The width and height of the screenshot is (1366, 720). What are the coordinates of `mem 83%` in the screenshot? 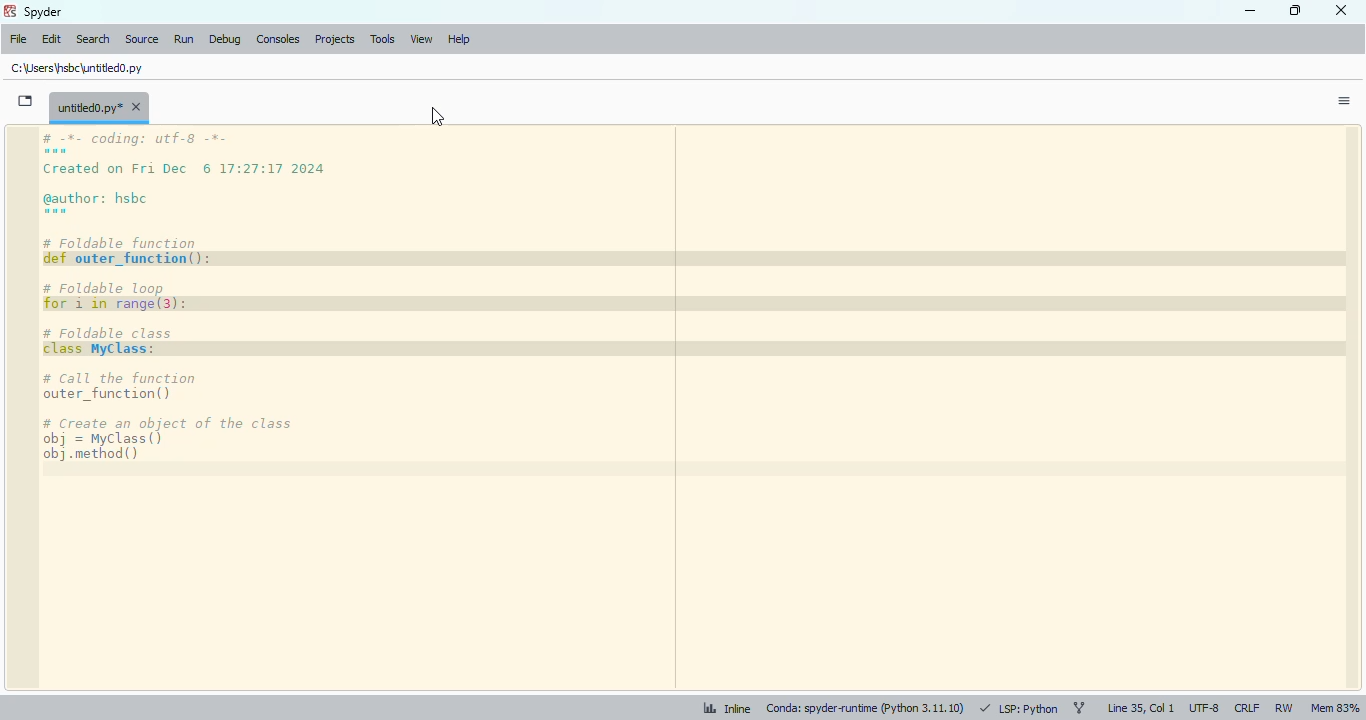 It's located at (1335, 708).